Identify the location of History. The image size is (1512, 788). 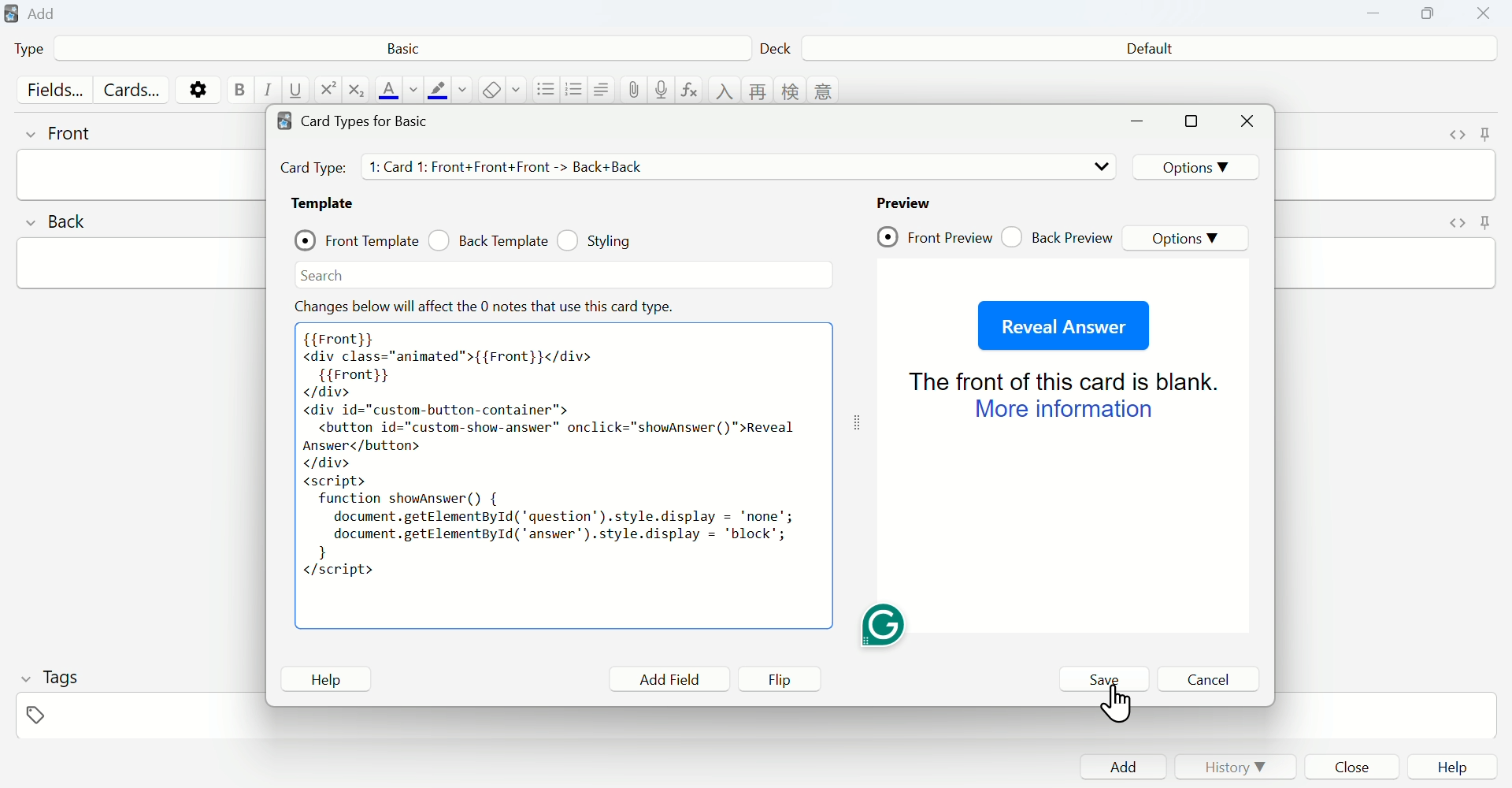
(1234, 767).